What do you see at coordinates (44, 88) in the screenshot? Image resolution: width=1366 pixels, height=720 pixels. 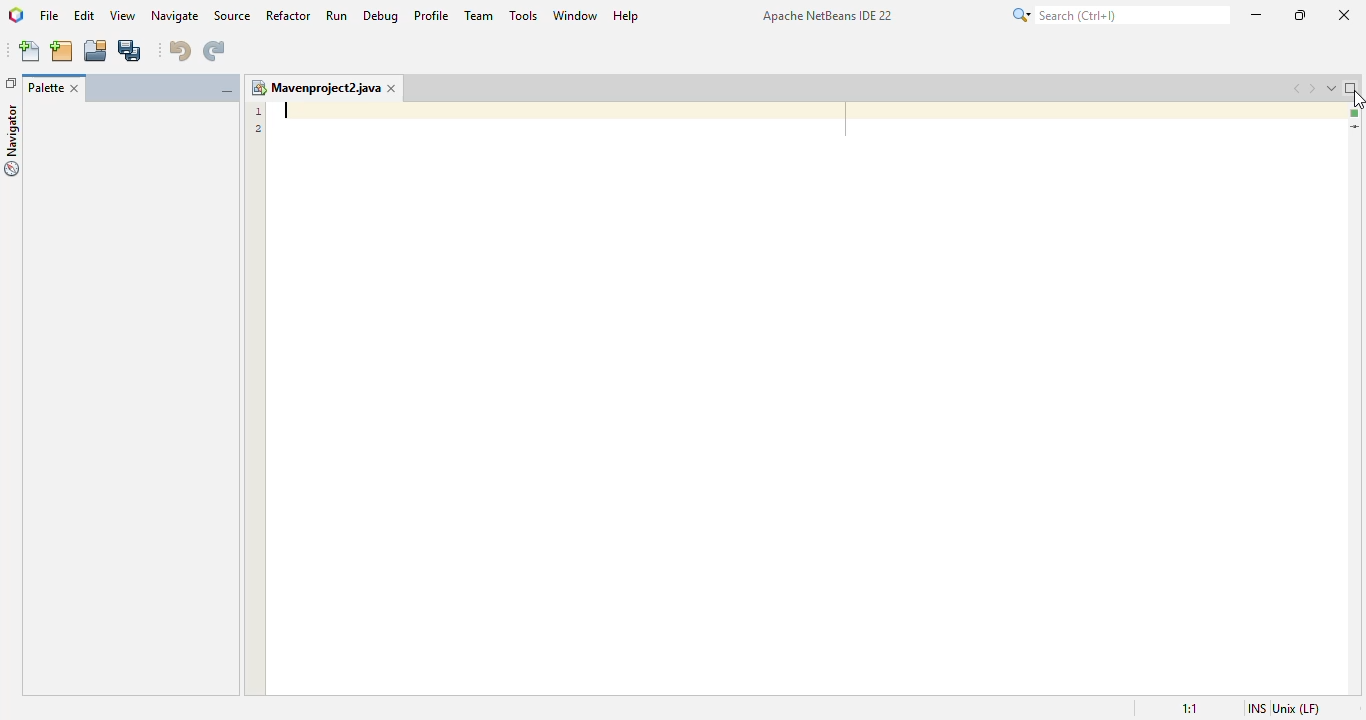 I see `palette` at bounding box center [44, 88].